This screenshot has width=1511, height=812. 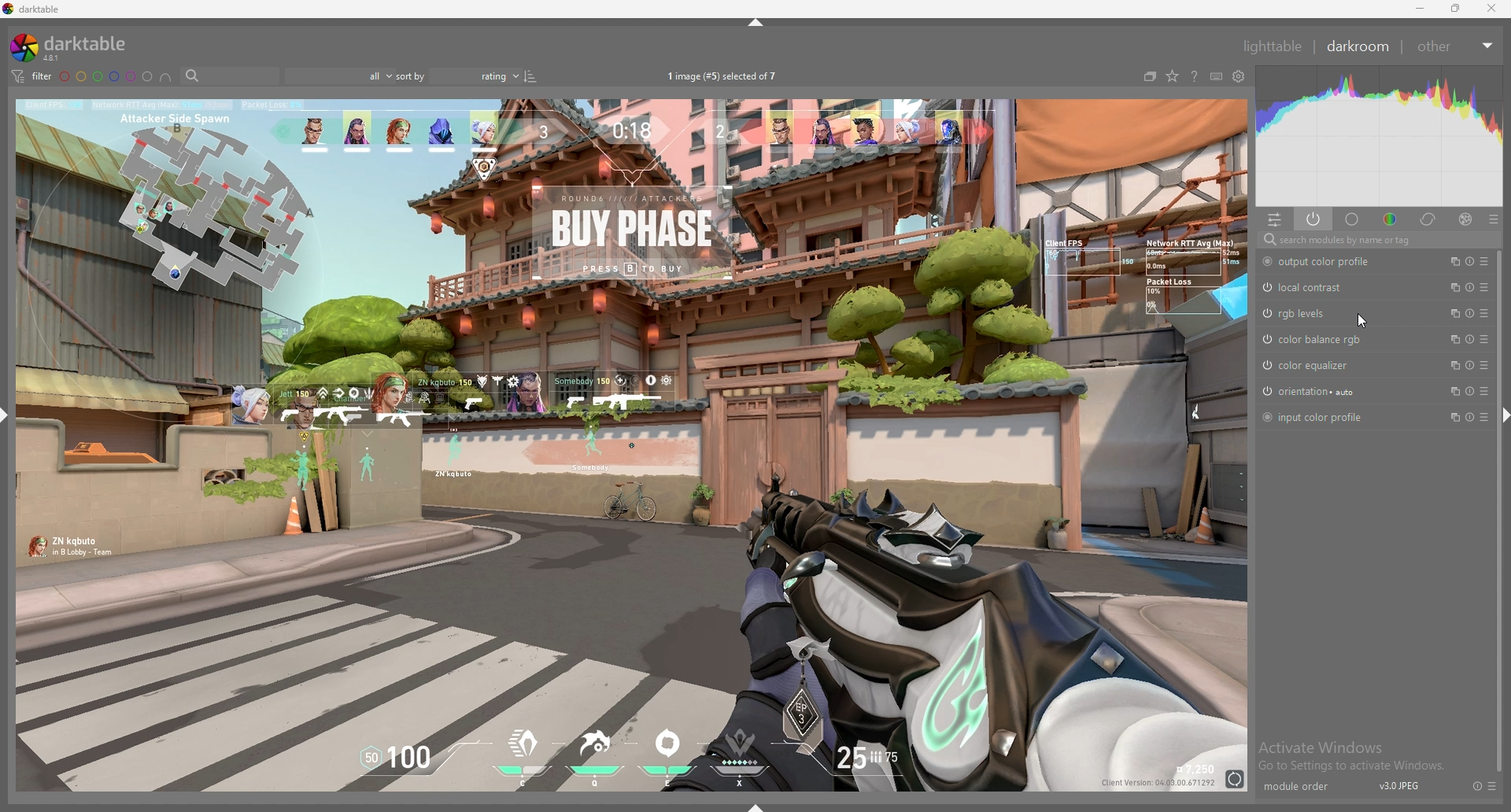 What do you see at coordinates (1265, 338) in the screenshot?
I see `switched on` at bounding box center [1265, 338].